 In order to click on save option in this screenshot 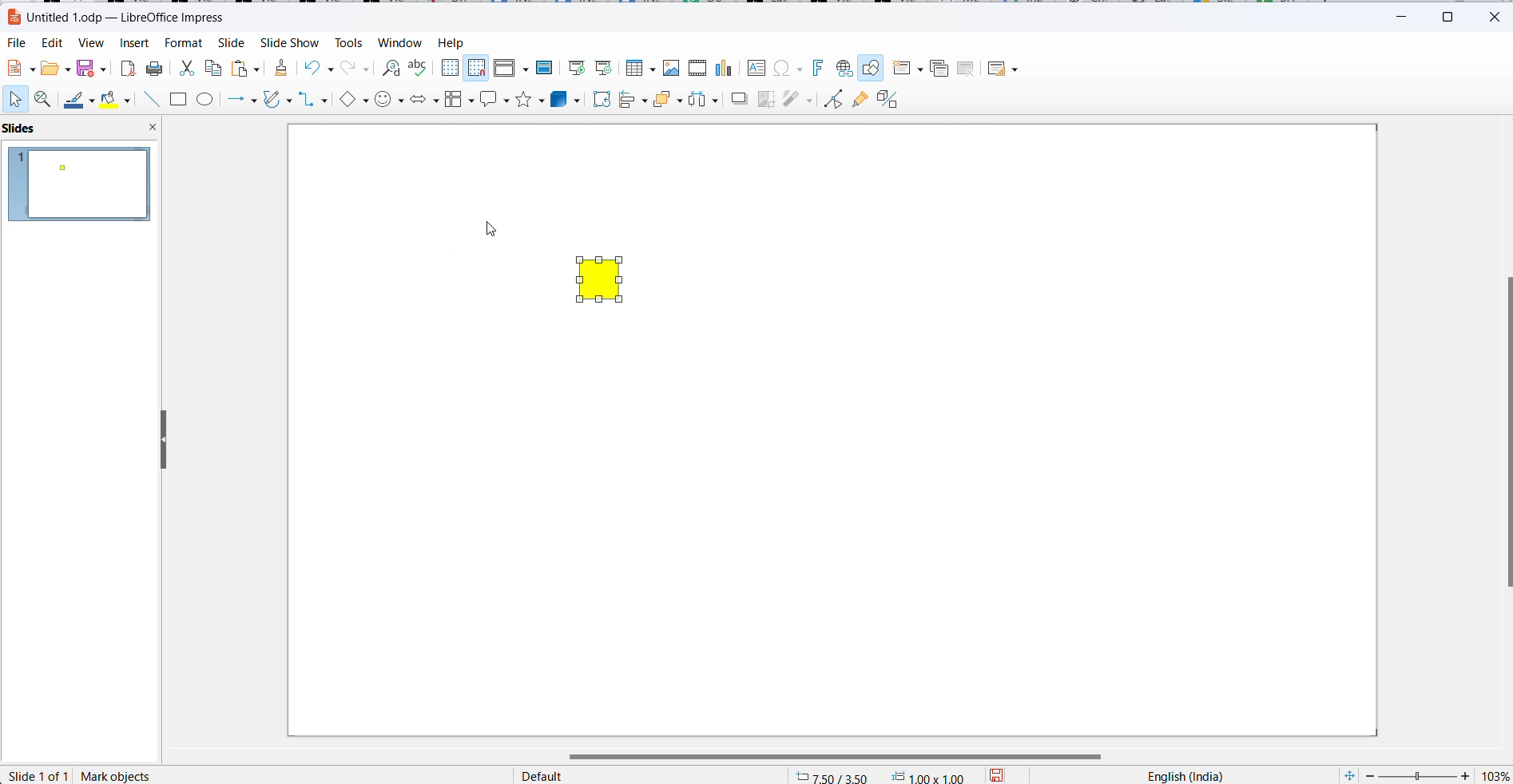, I will do `click(89, 67)`.